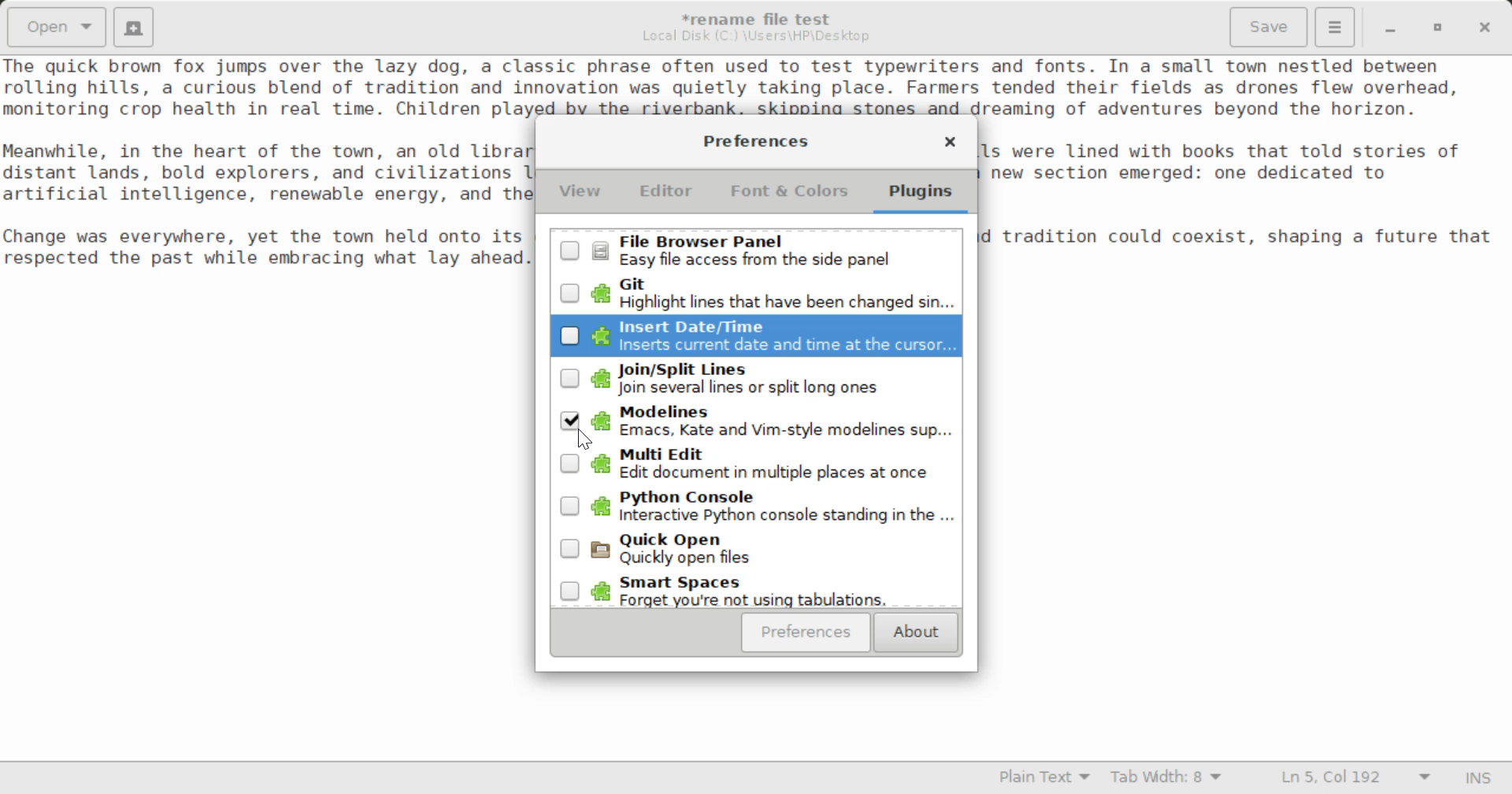  I want to click on Selected Language, so click(1045, 779).